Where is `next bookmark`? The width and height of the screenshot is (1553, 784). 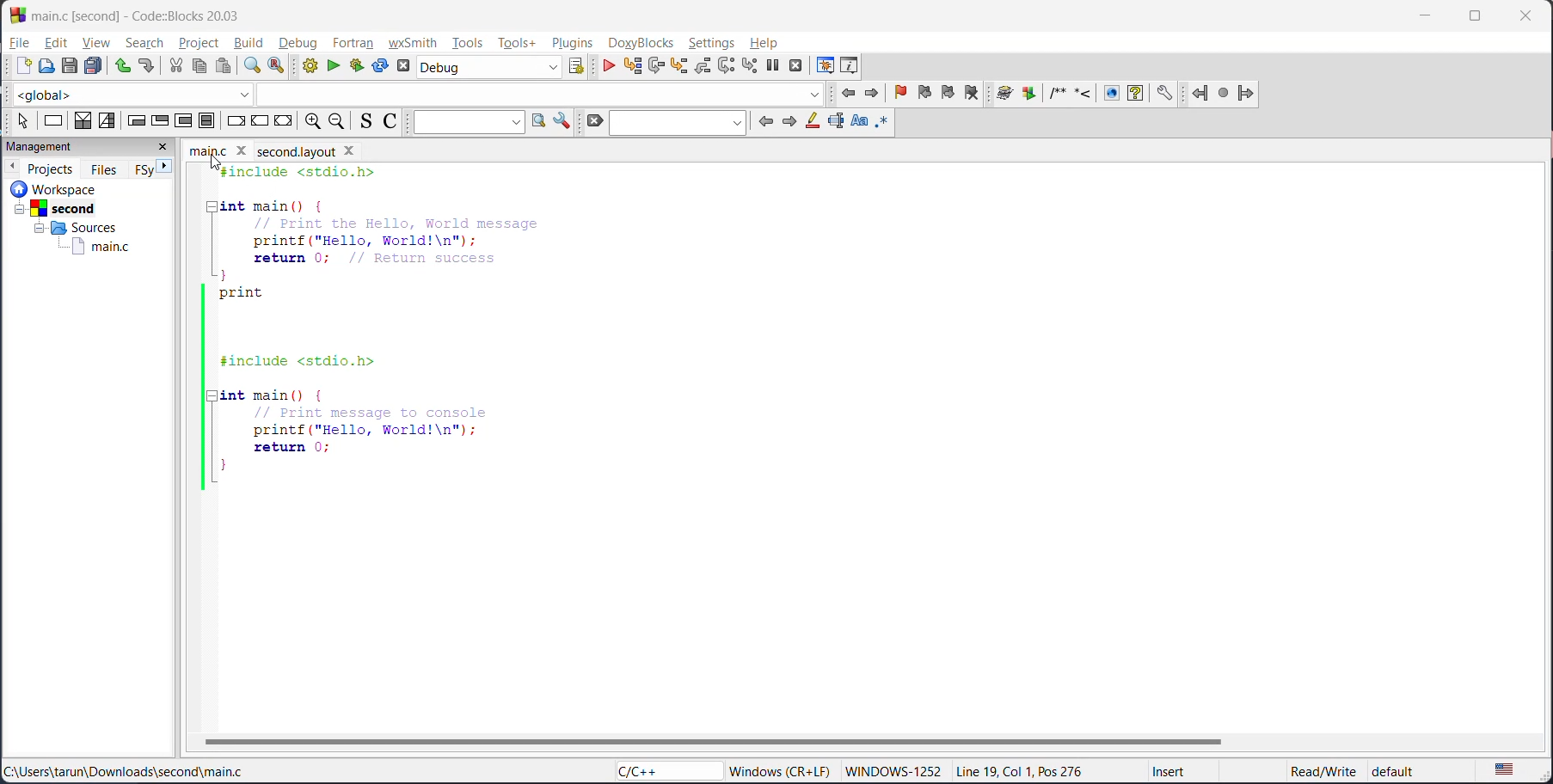 next bookmark is located at coordinates (948, 95).